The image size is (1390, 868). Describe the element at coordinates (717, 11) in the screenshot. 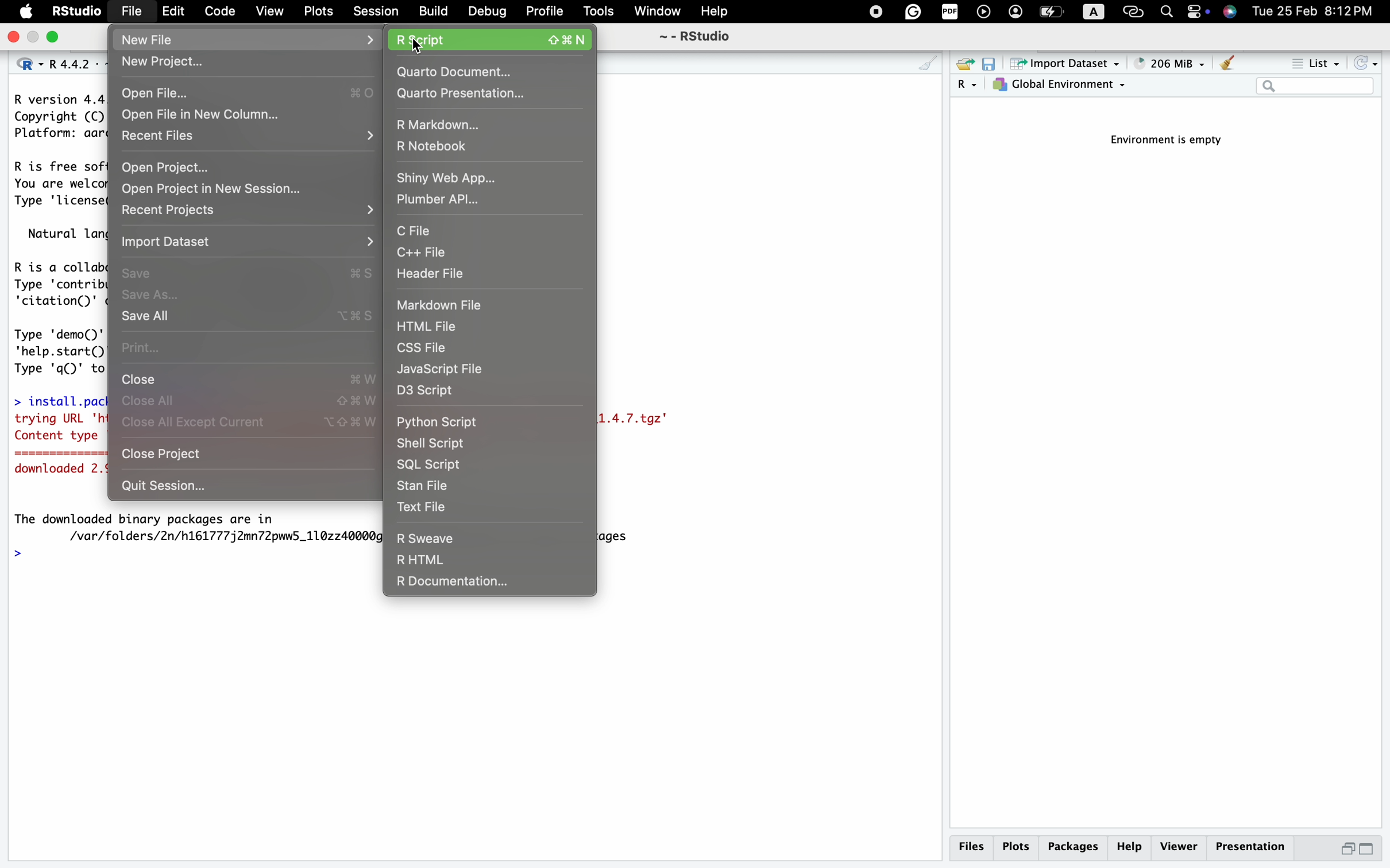

I see `help` at that location.